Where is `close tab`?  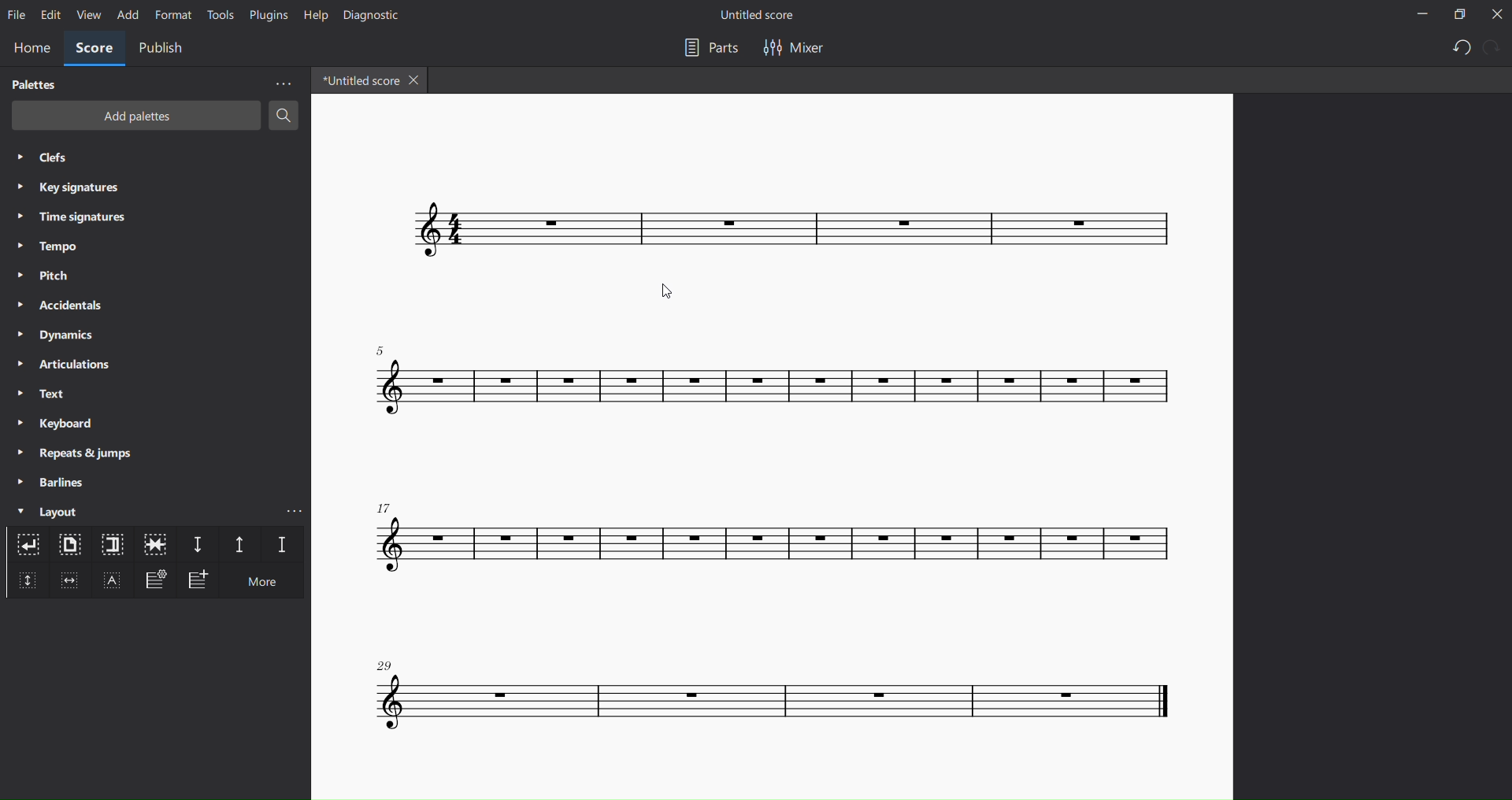 close tab is located at coordinates (417, 82).